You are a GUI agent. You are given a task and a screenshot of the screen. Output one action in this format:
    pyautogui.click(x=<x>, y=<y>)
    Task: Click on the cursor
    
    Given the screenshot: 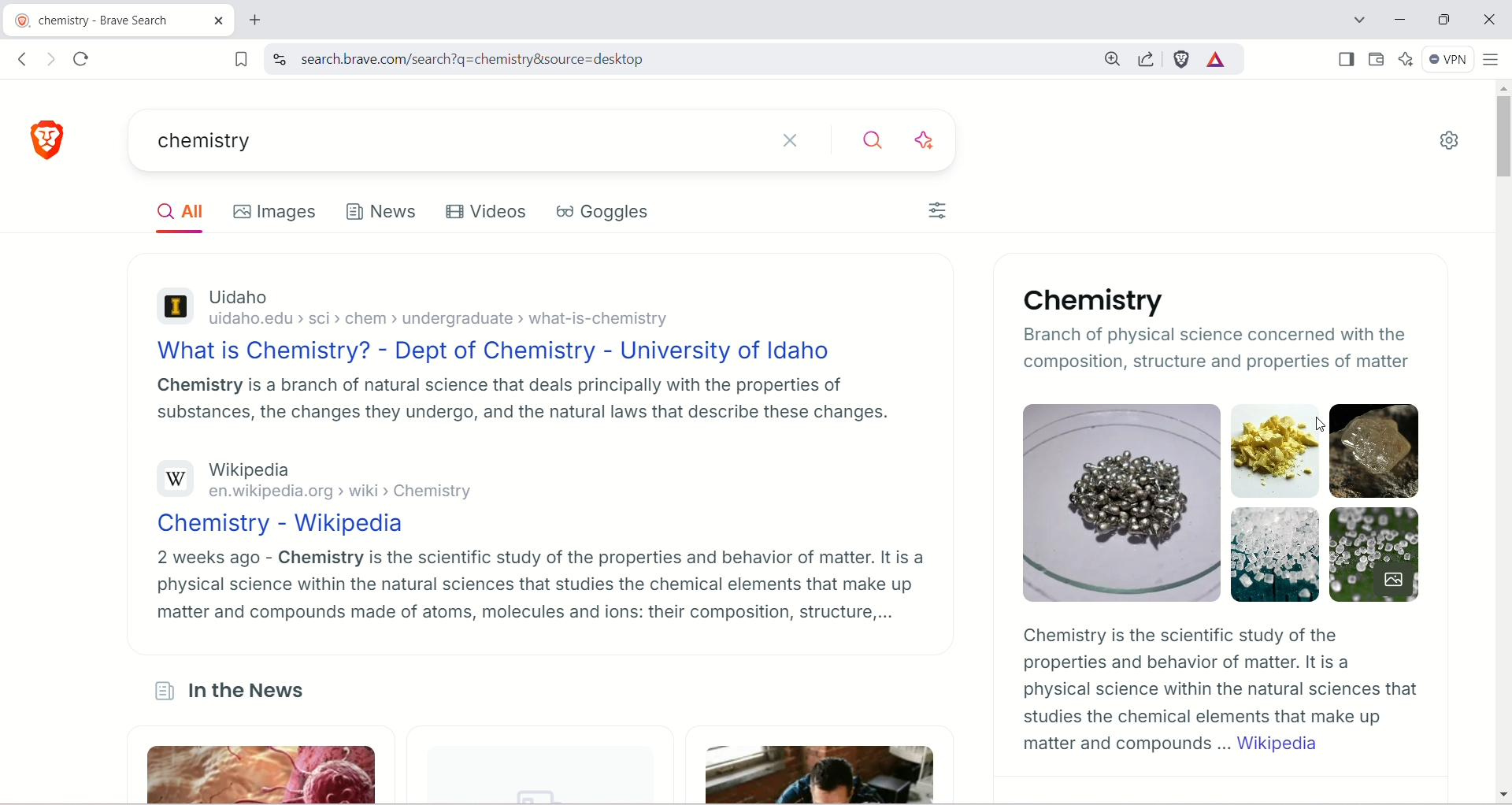 What is the action you would take?
    pyautogui.click(x=1321, y=424)
    